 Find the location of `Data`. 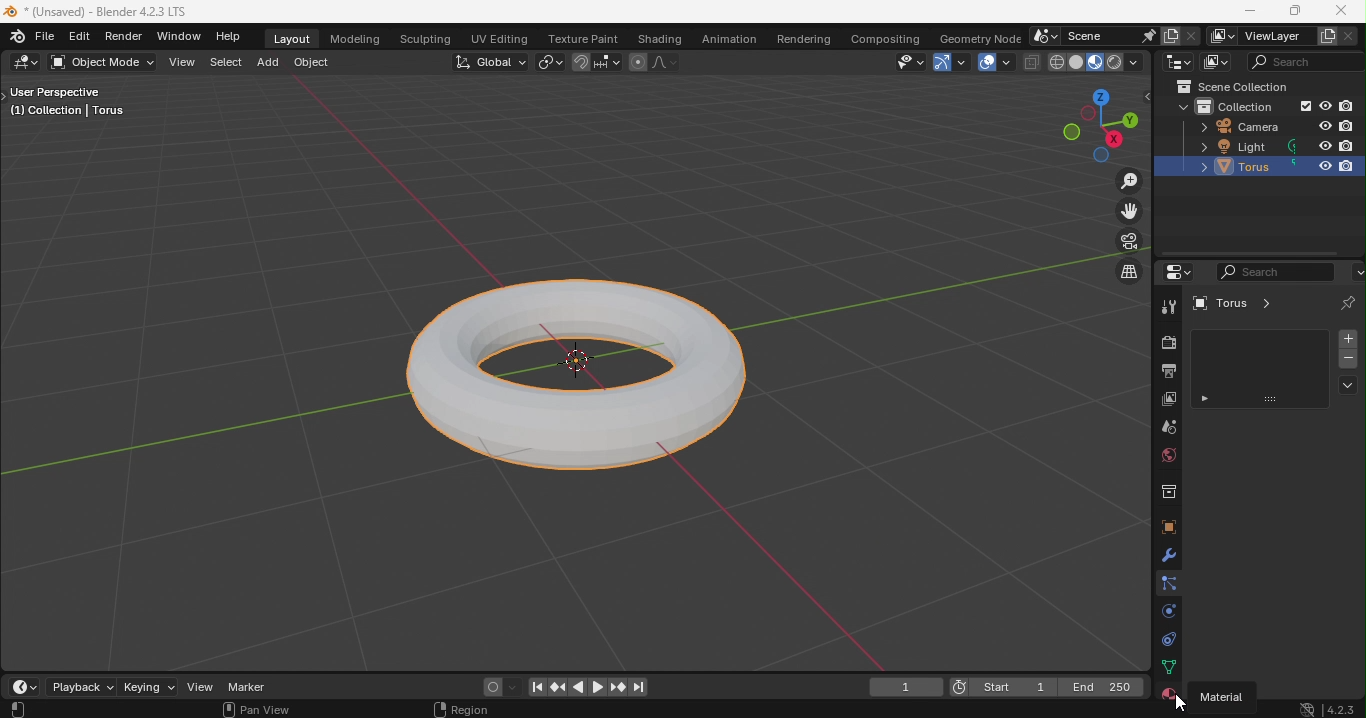

Data is located at coordinates (1164, 666).